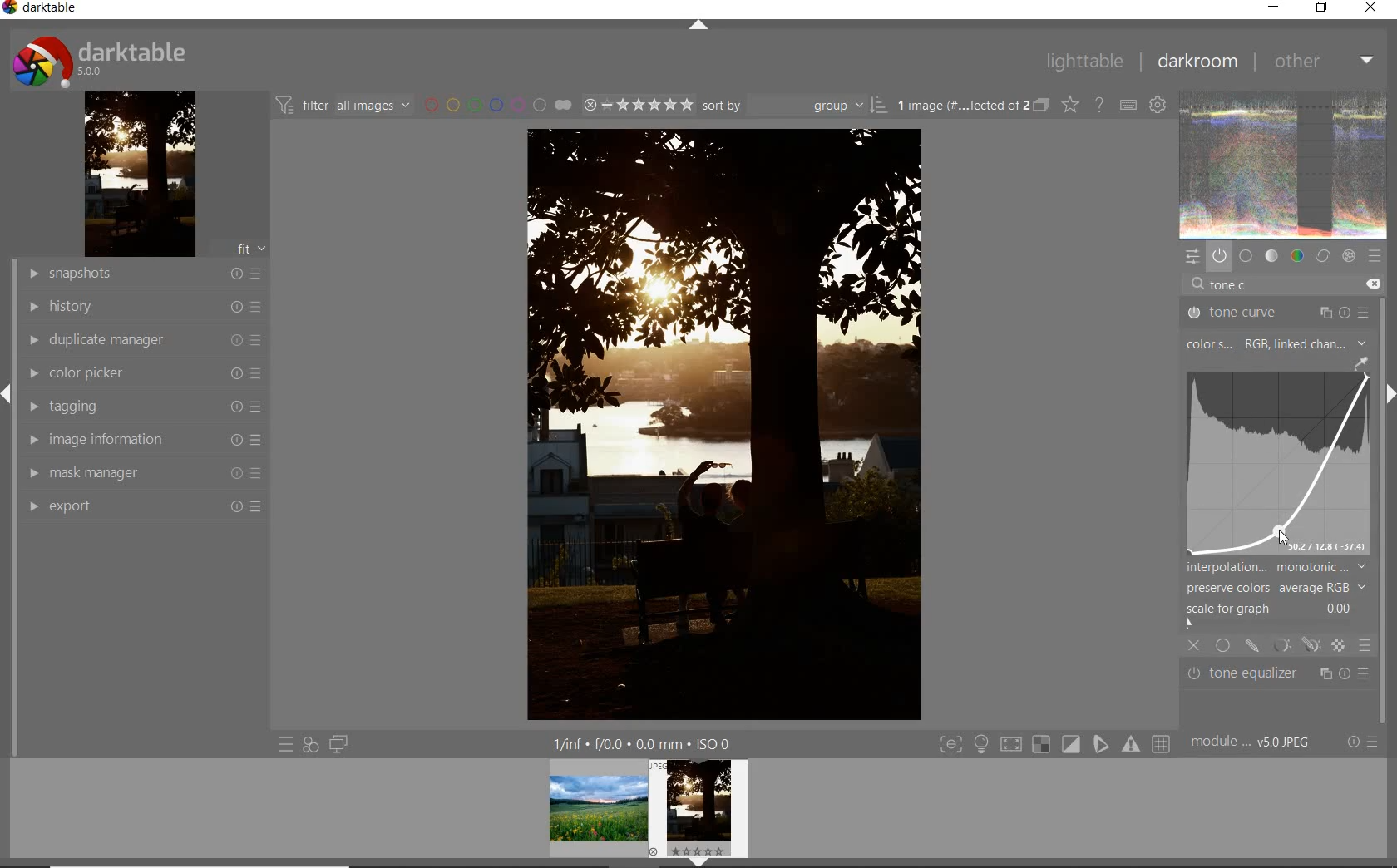 The width and height of the screenshot is (1397, 868). I want to click on Sort, so click(794, 106).